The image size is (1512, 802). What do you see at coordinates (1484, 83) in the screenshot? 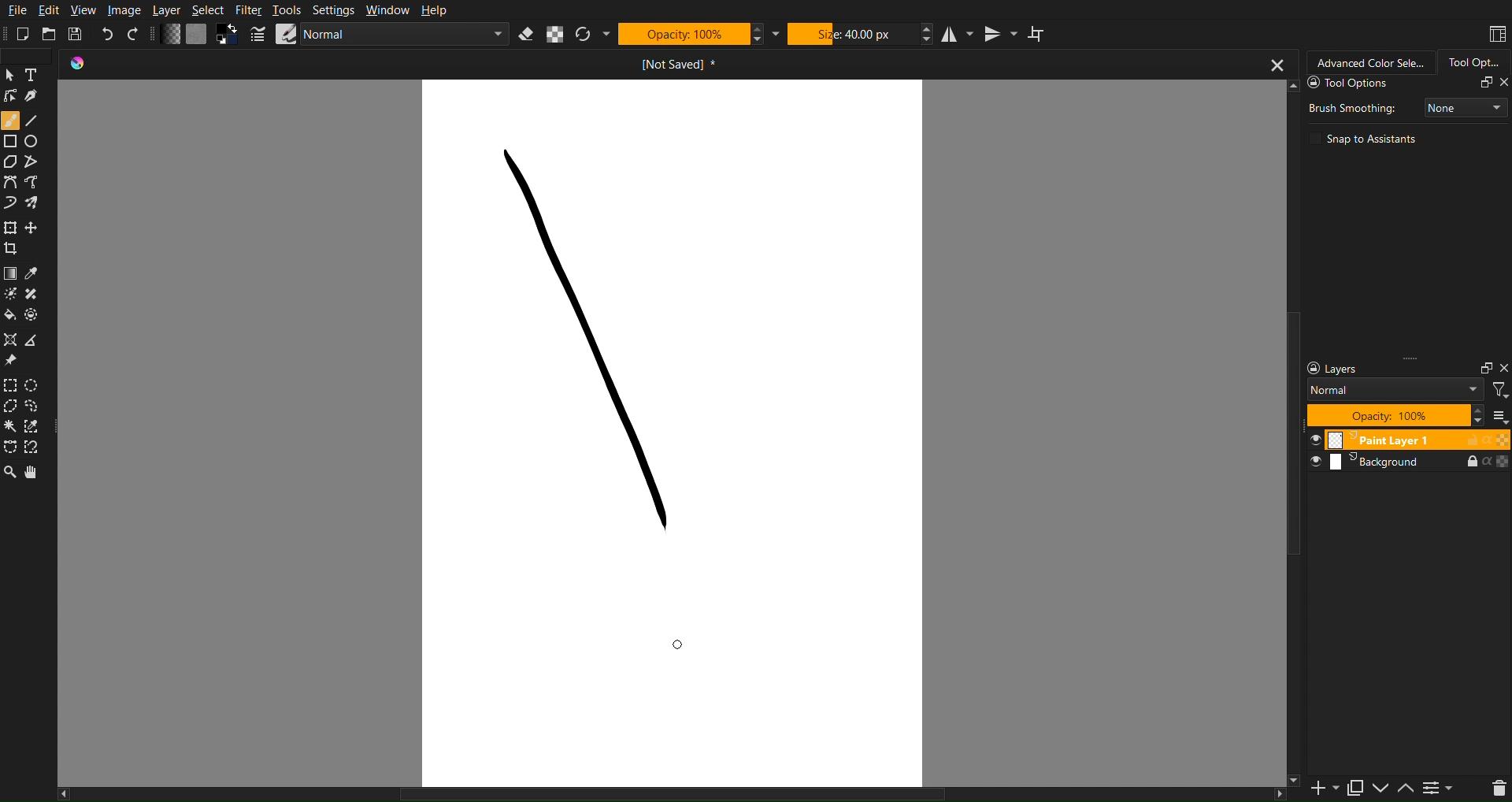
I see `Fullscreen` at bounding box center [1484, 83].